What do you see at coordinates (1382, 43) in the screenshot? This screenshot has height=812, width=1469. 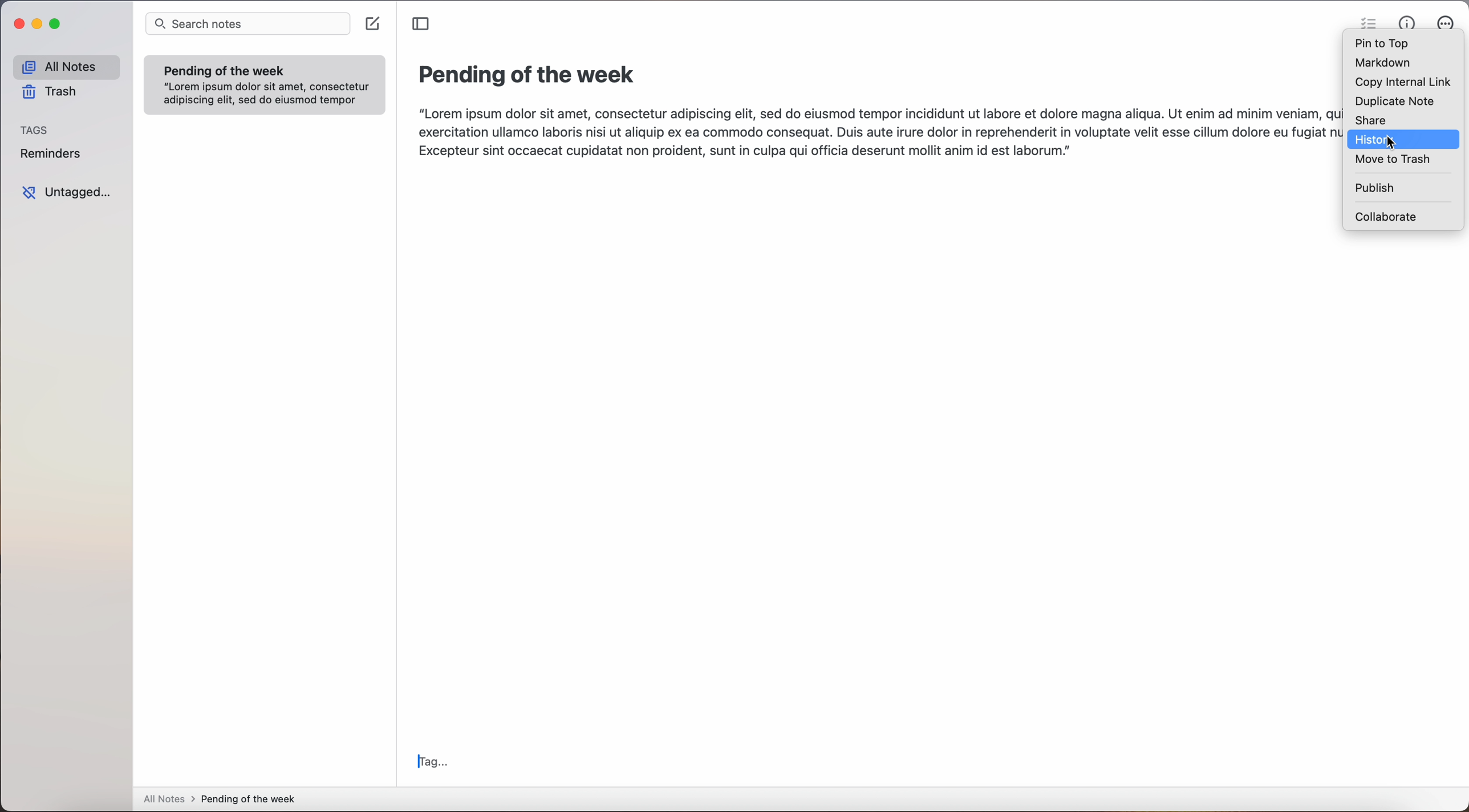 I see `pin to top` at bounding box center [1382, 43].